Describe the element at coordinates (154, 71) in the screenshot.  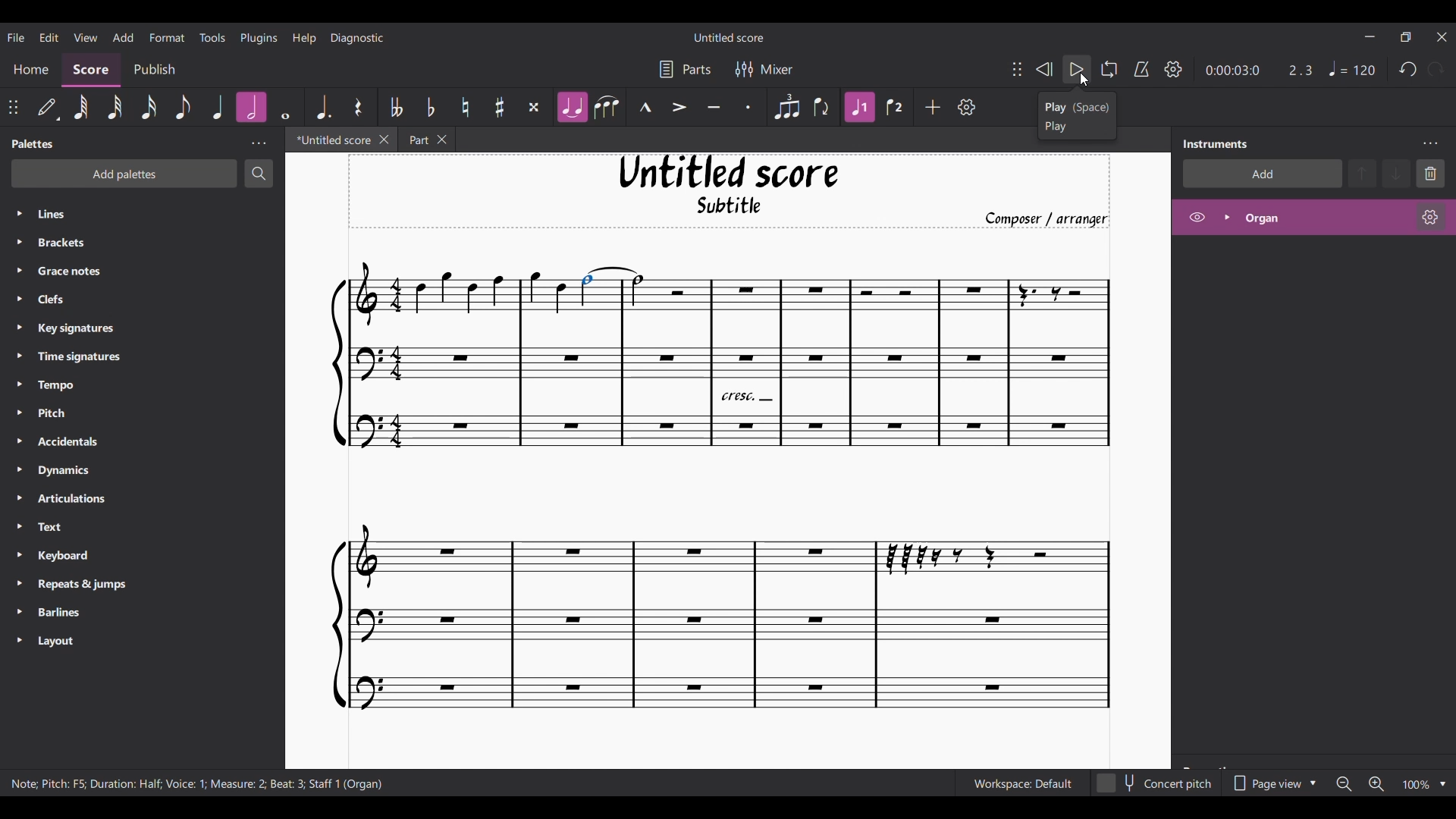
I see `Publish section` at that location.